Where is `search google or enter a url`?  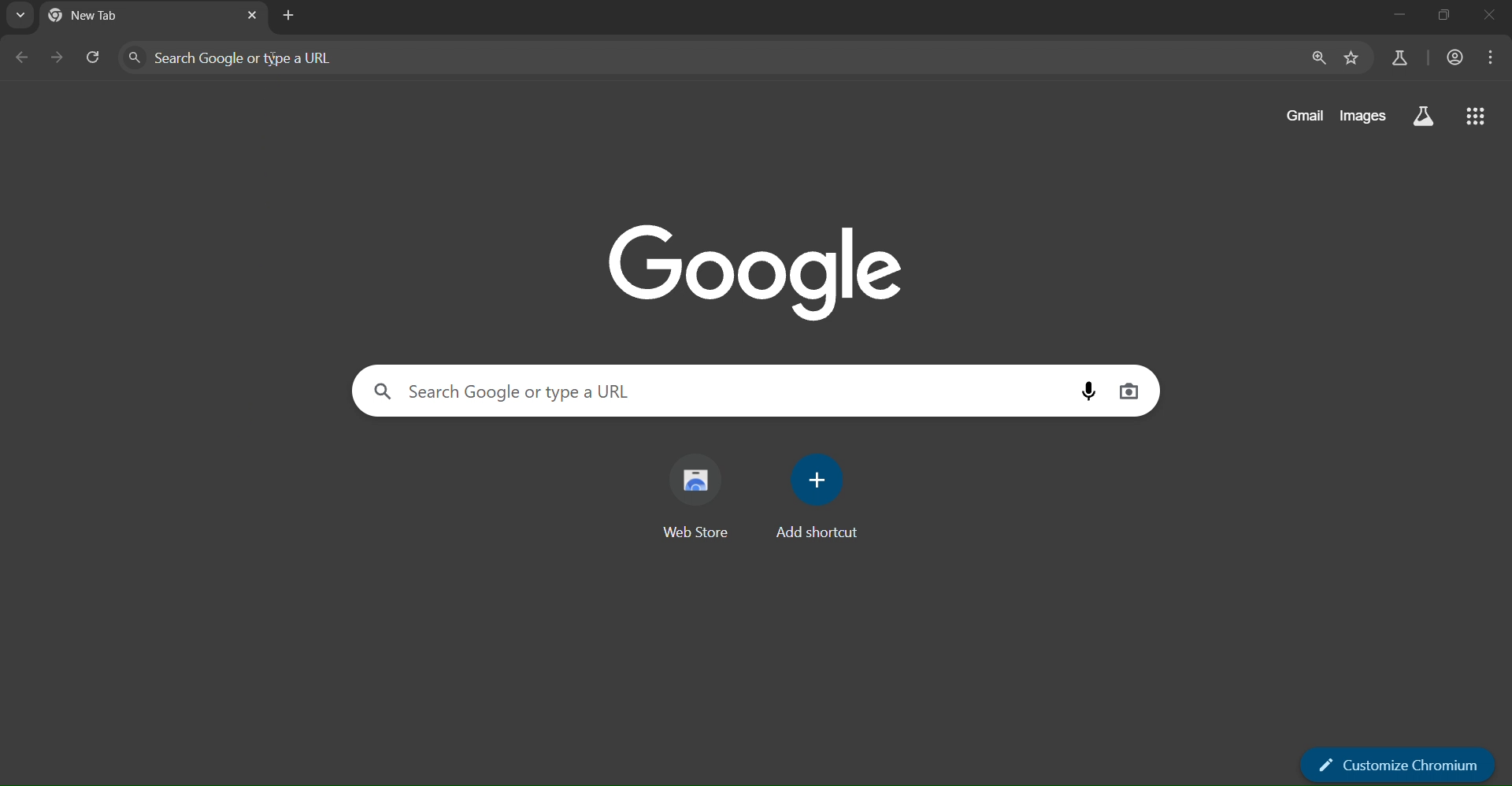 search google or enter a url is located at coordinates (510, 390).